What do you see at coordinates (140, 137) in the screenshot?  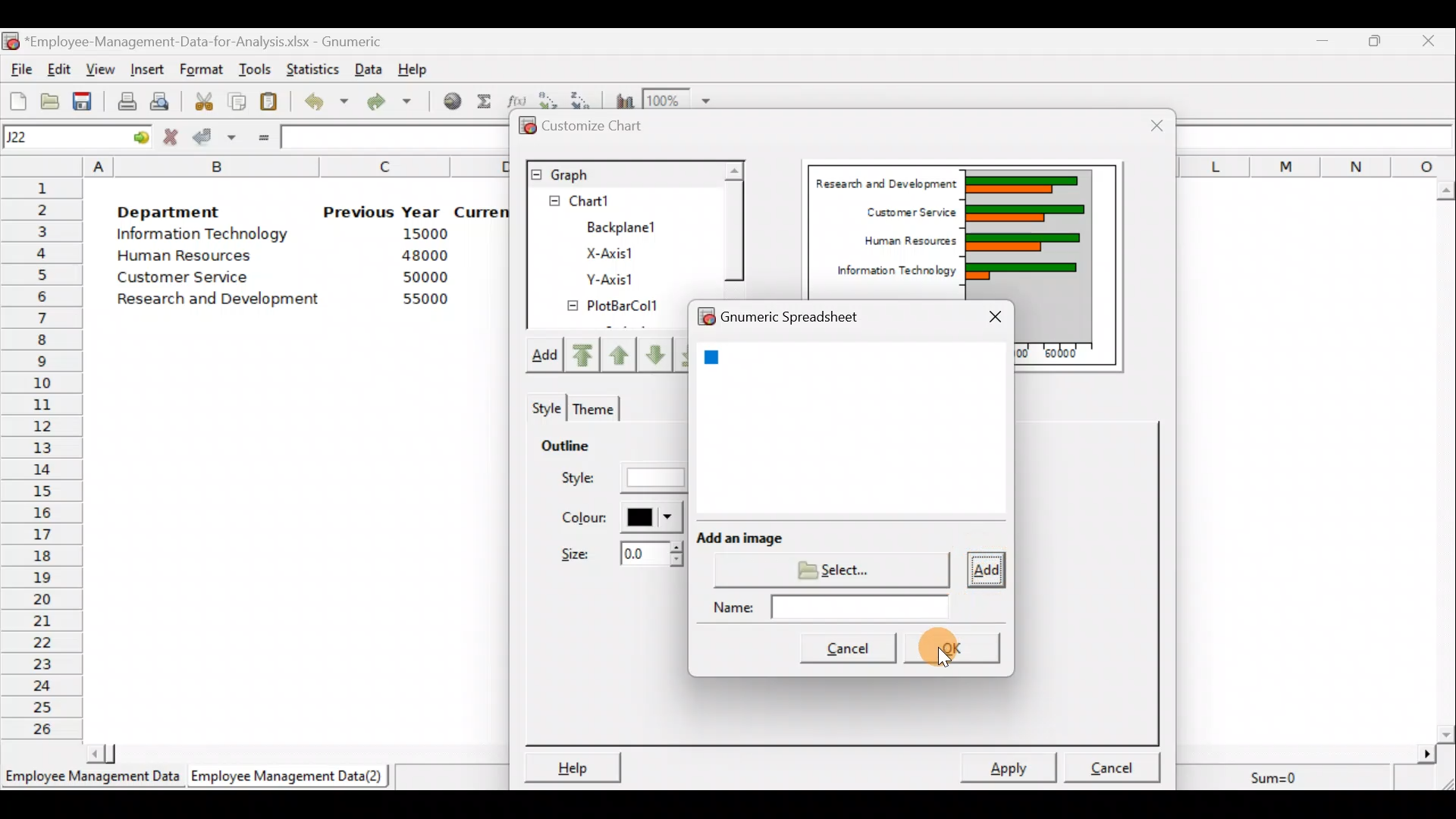 I see `go to` at bounding box center [140, 137].